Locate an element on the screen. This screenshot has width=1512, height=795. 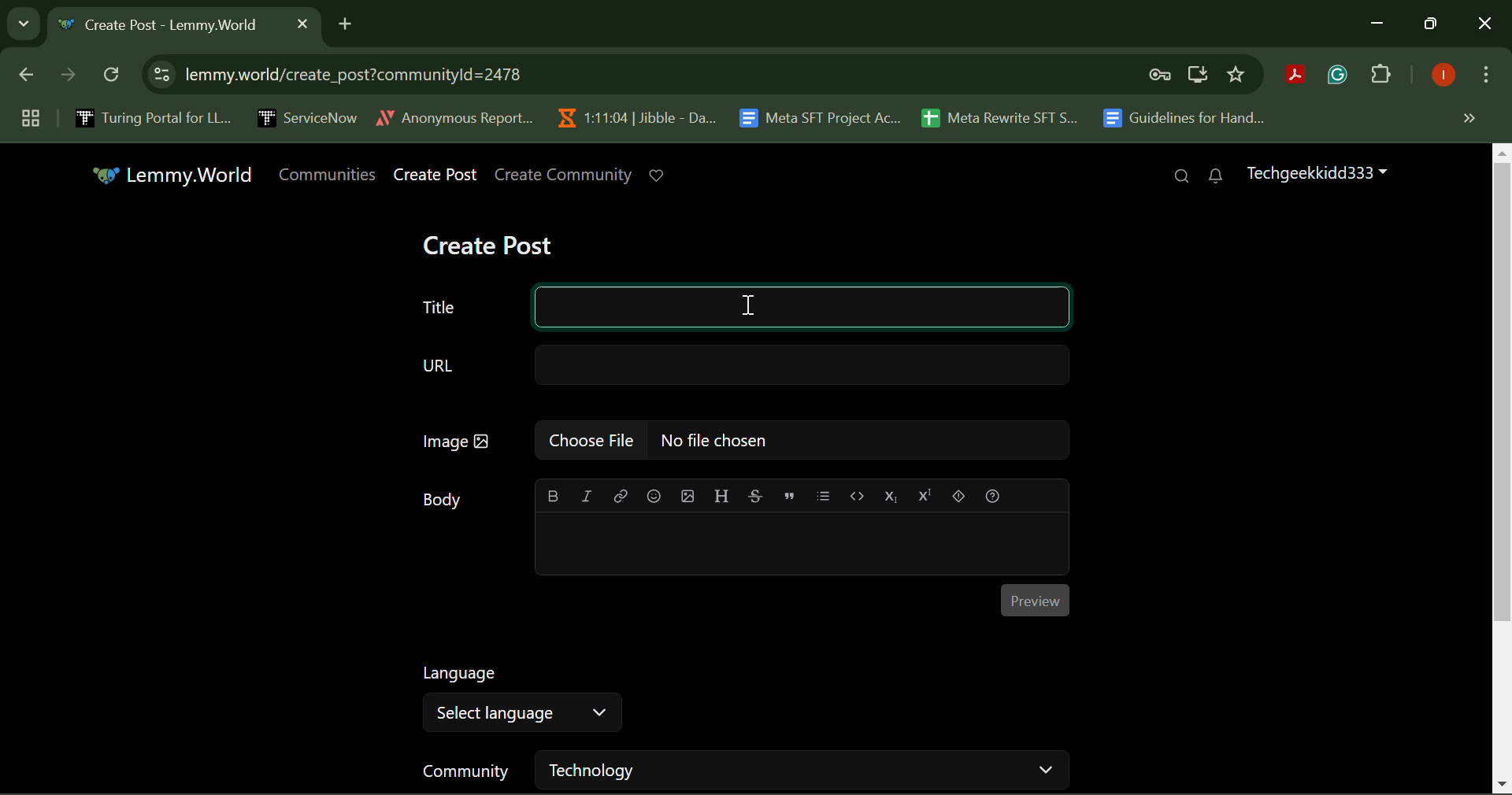
superscript is located at coordinates (922, 494).